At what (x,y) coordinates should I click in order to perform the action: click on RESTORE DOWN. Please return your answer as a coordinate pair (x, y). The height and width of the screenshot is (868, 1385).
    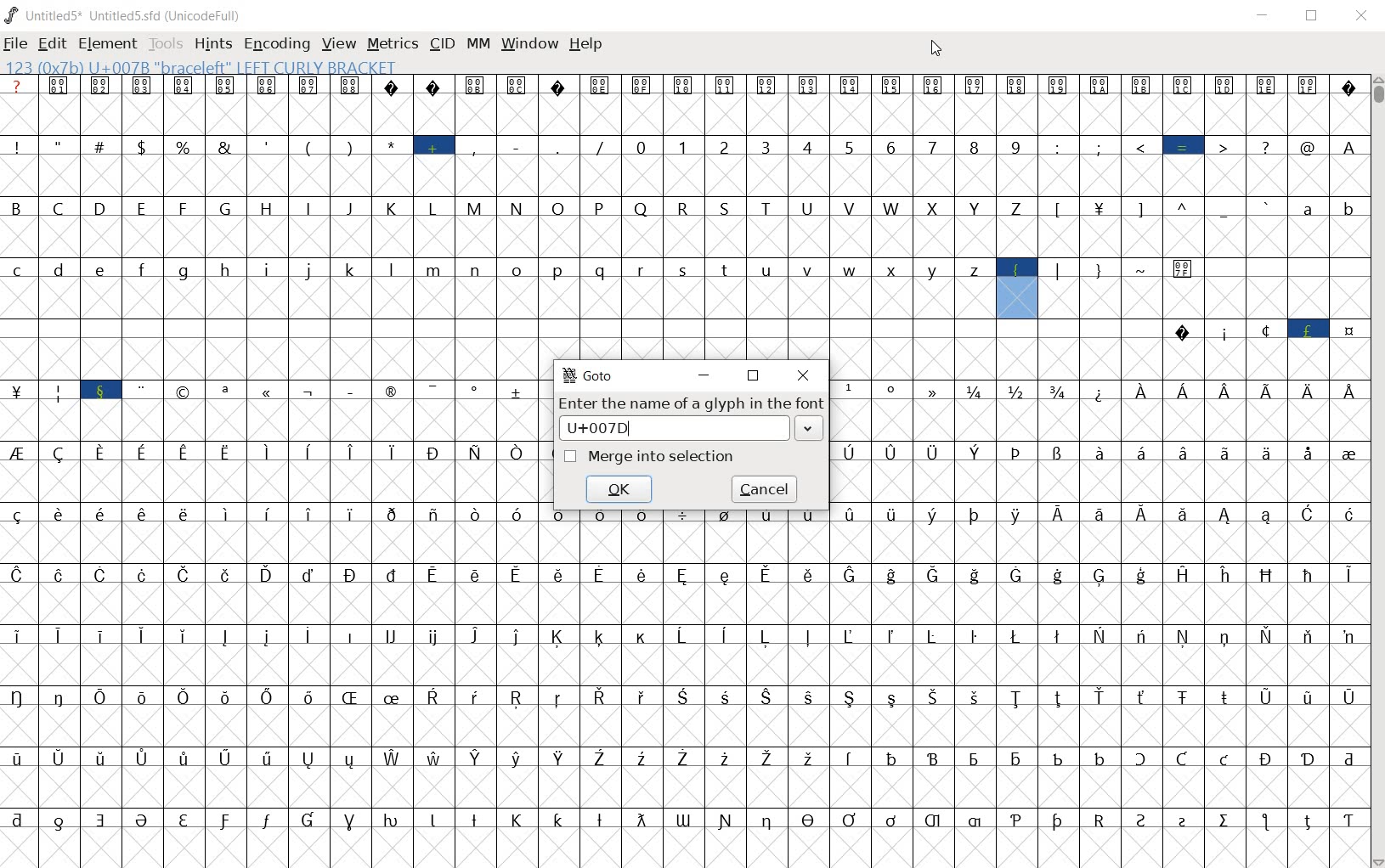
    Looking at the image, I should click on (755, 377).